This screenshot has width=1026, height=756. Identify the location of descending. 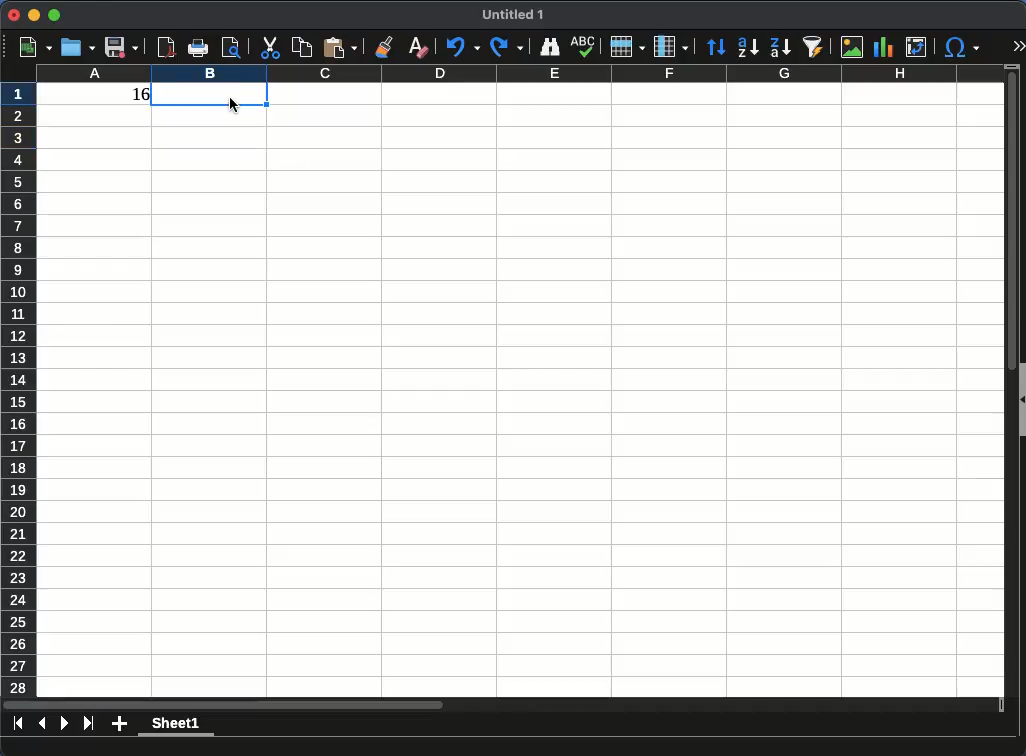
(780, 48).